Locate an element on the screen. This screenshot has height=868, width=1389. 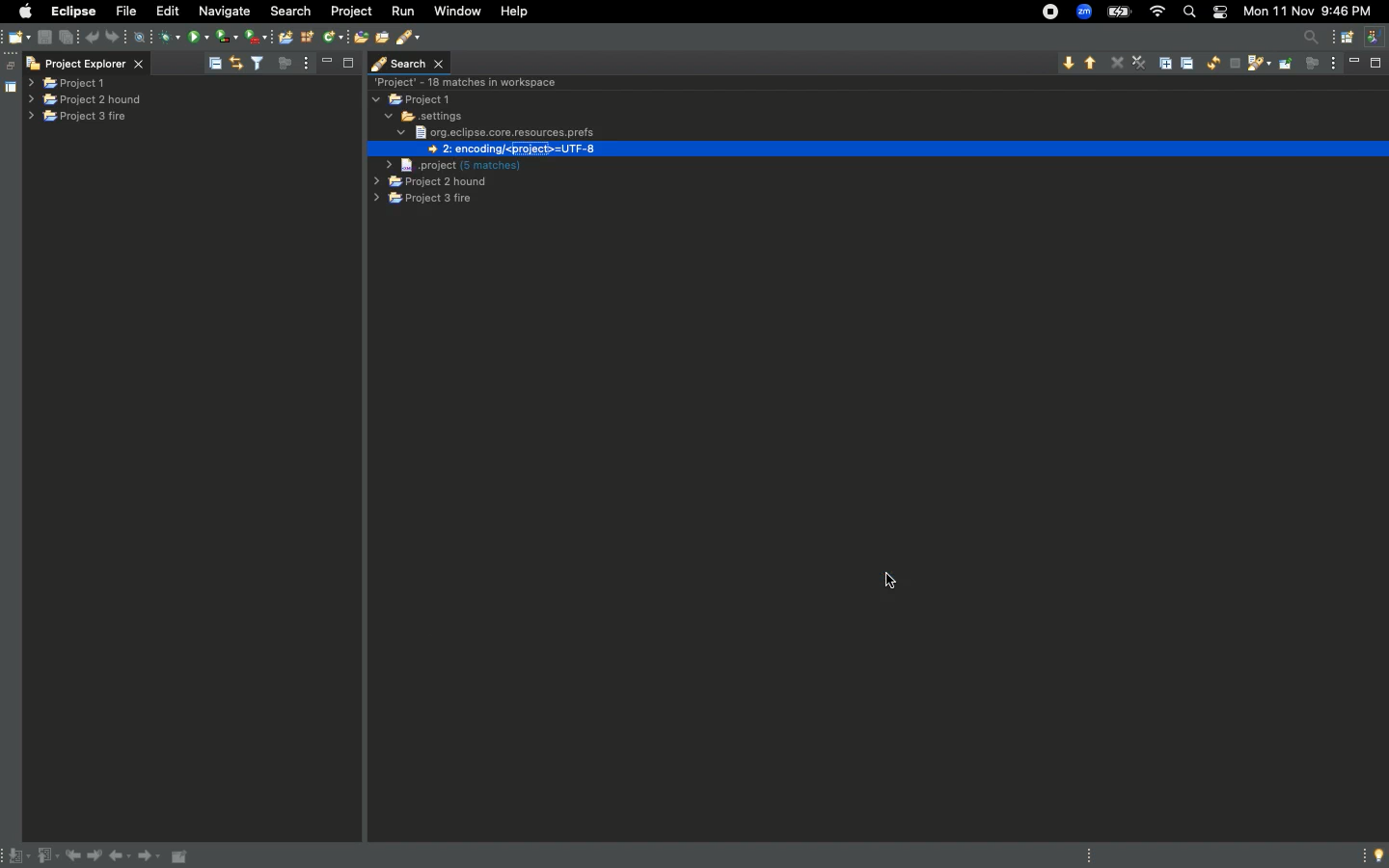
debug is located at coordinates (172, 39).